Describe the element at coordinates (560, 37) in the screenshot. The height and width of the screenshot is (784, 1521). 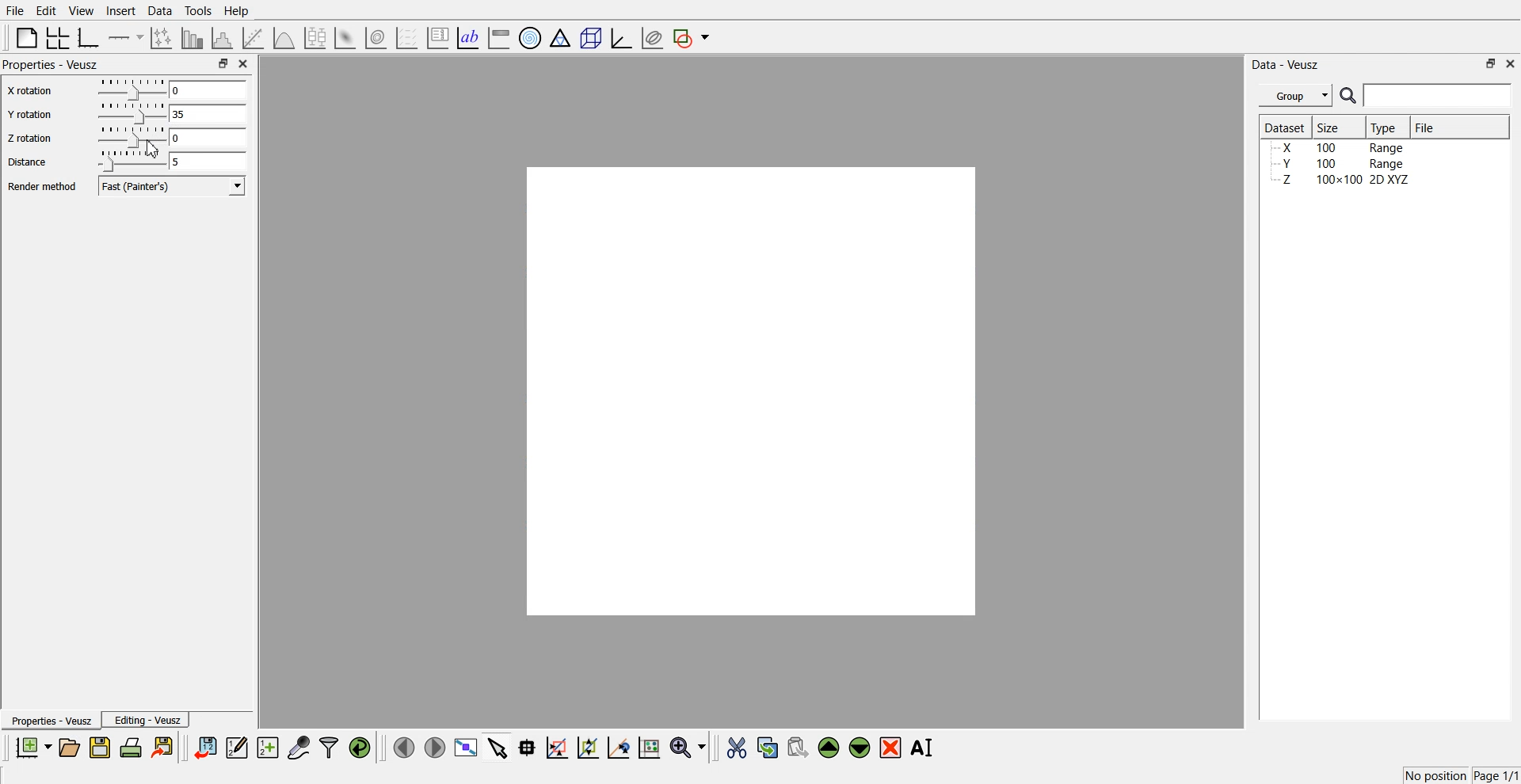
I see `Ternary Graph` at that location.